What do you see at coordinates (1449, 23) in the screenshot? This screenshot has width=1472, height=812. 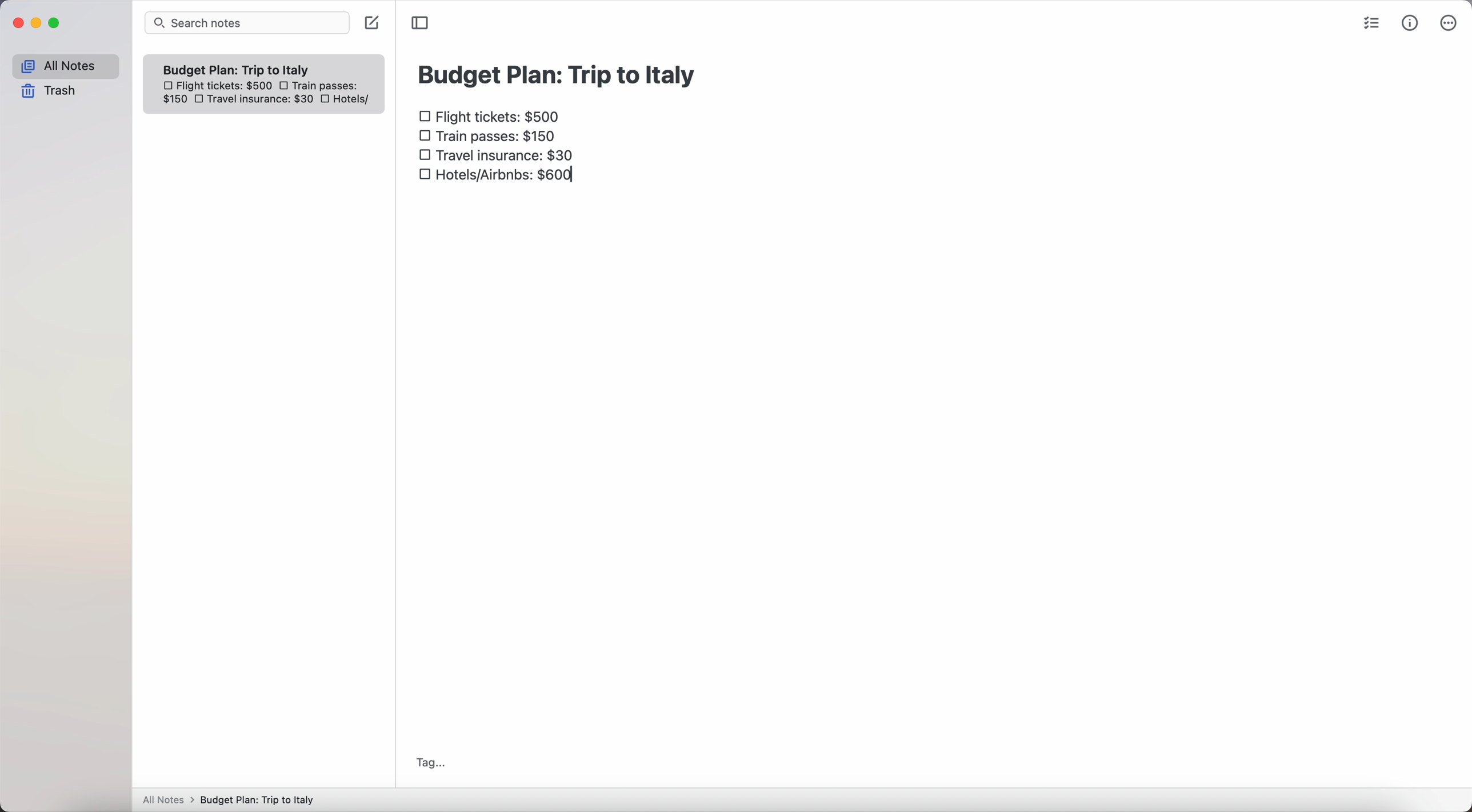 I see `more options` at bounding box center [1449, 23].